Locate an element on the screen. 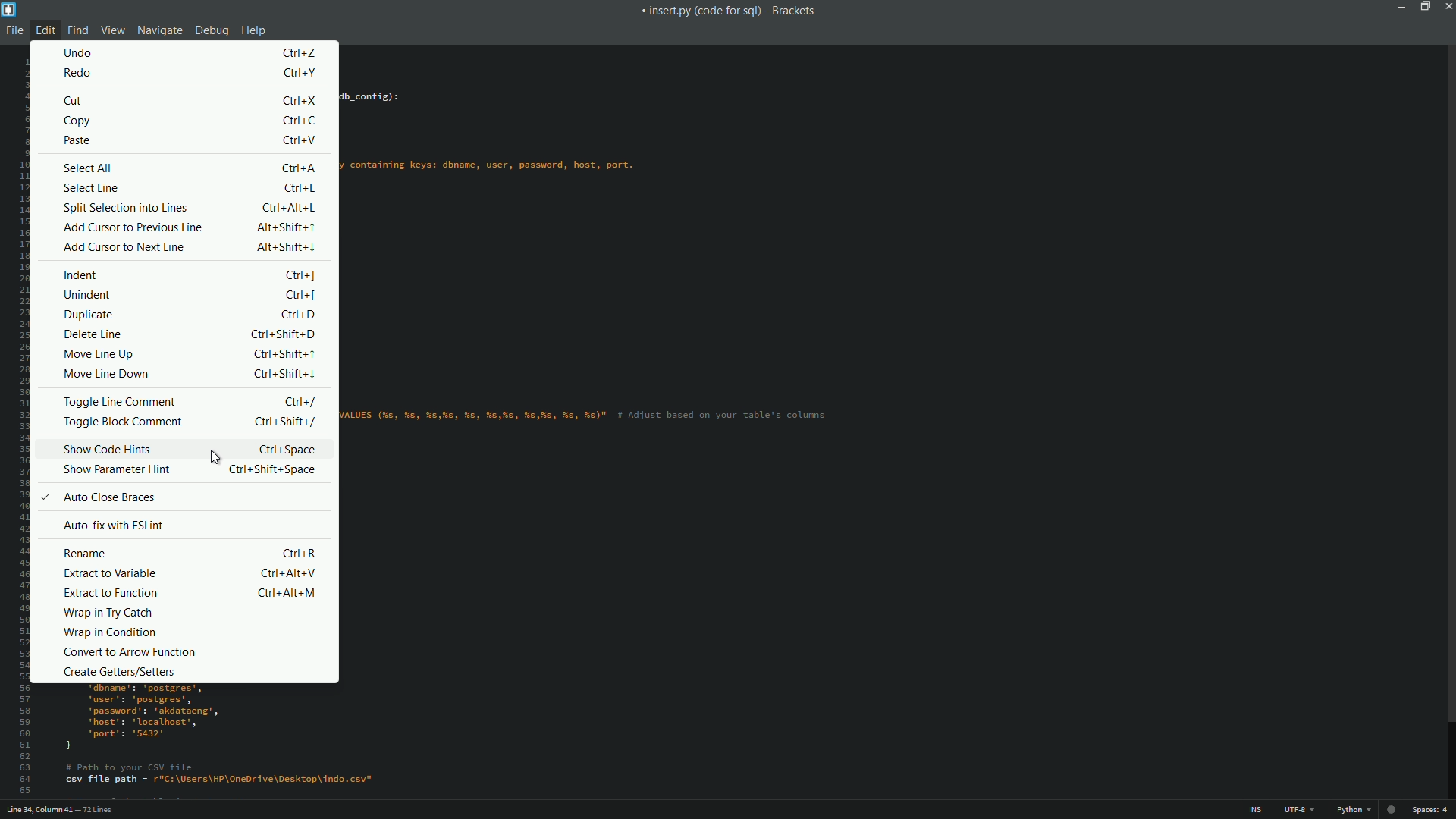 Image resolution: width=1456 pixels, height=819 pixels. unindent is located at coordinates (88, 297).